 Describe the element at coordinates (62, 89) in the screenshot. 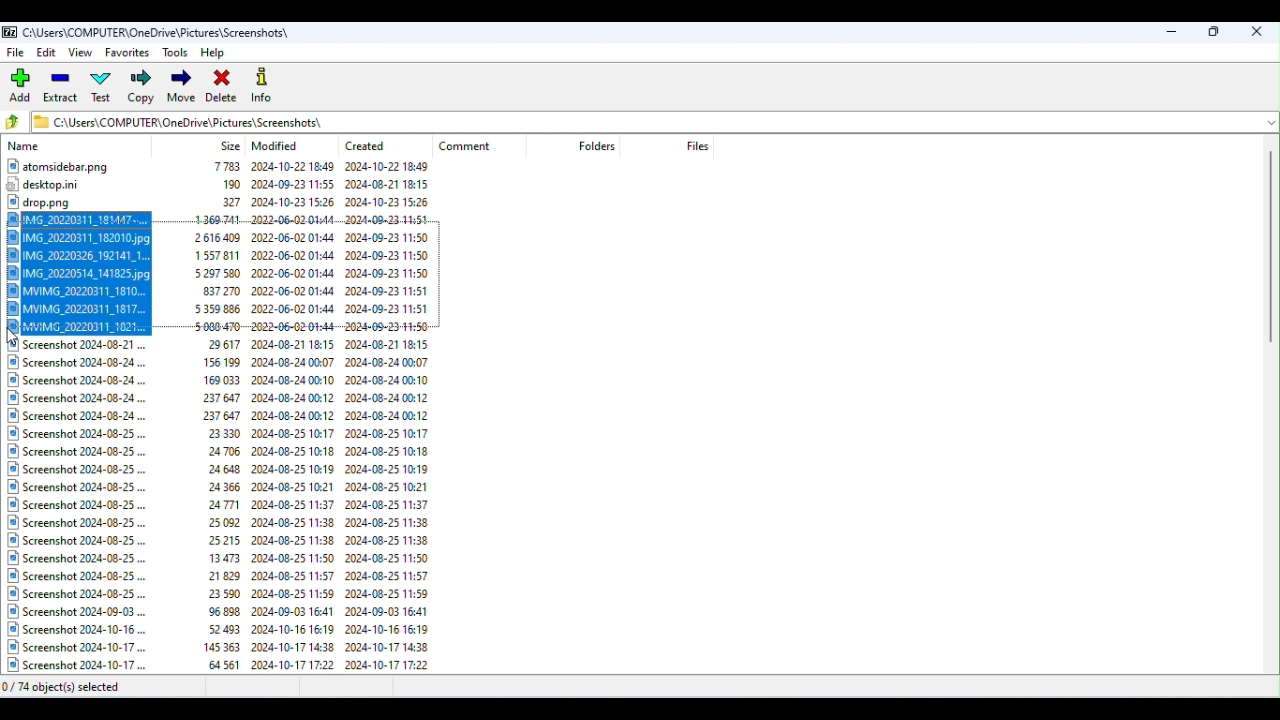

I see `Extract` at that location.